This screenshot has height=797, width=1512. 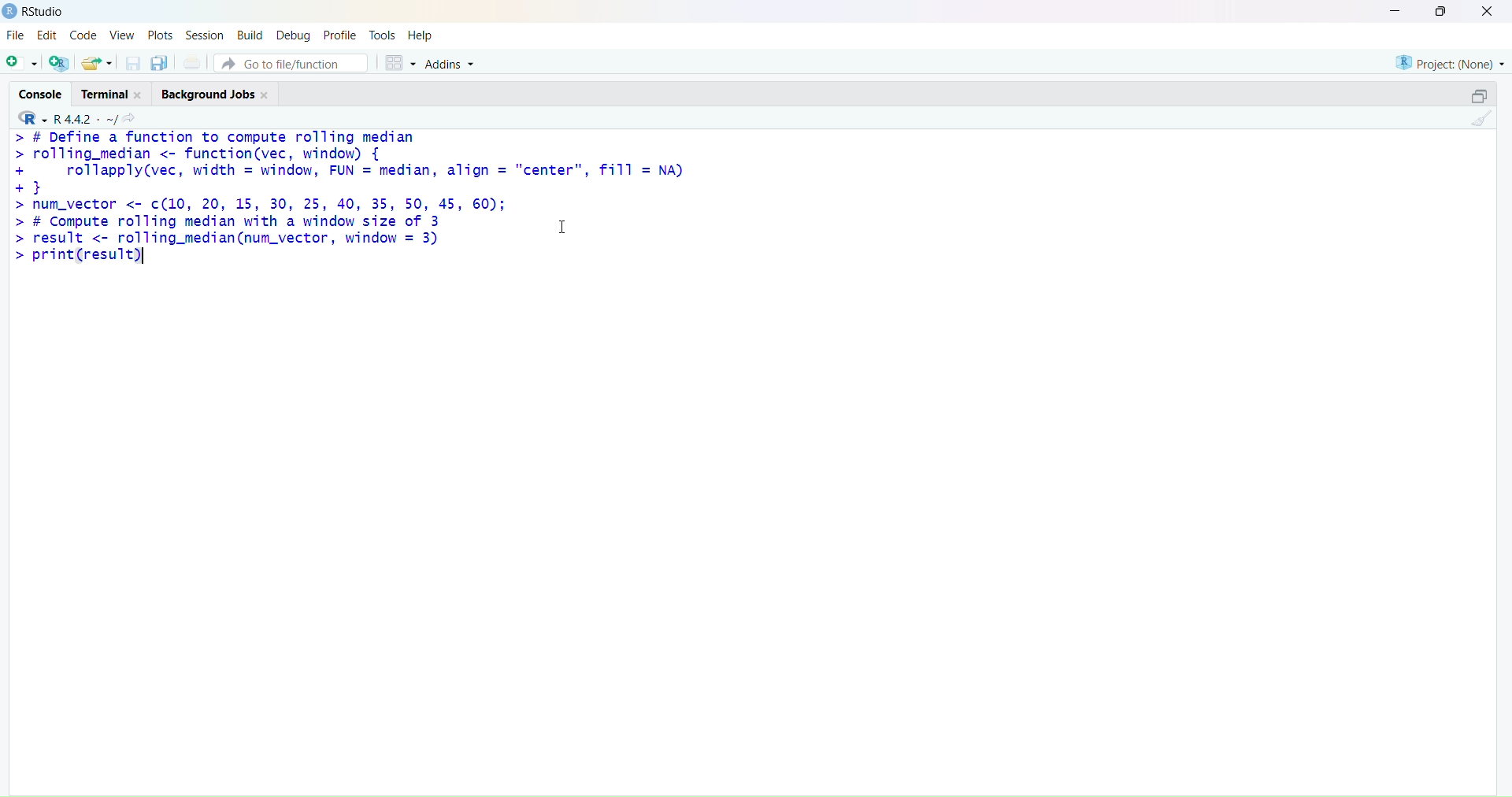 What do you see at coordinates (41, 95) in the screenshot?
I see `console` at bounding box center [41, 95].